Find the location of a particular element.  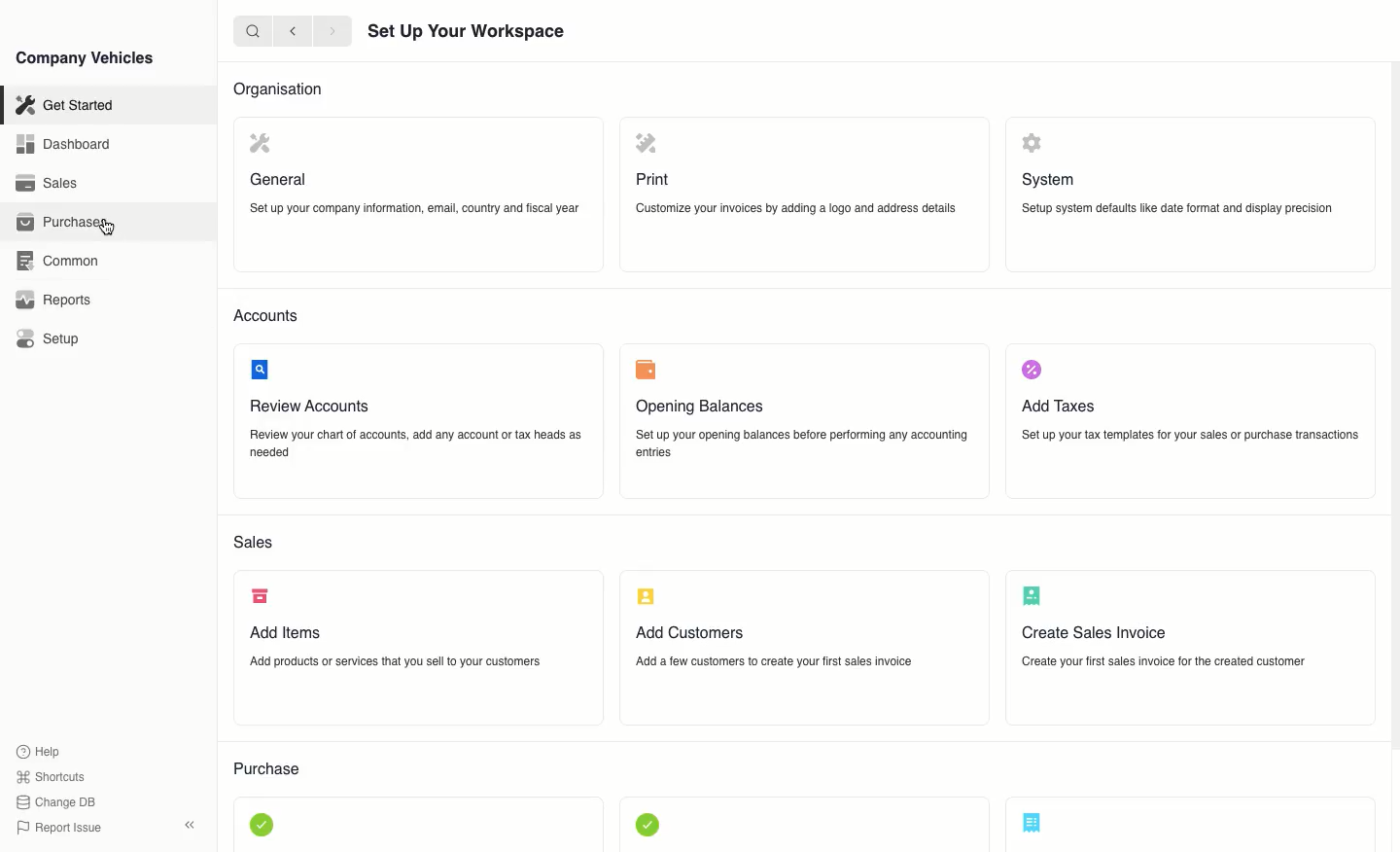

icon is located at coordinates (647, 824).